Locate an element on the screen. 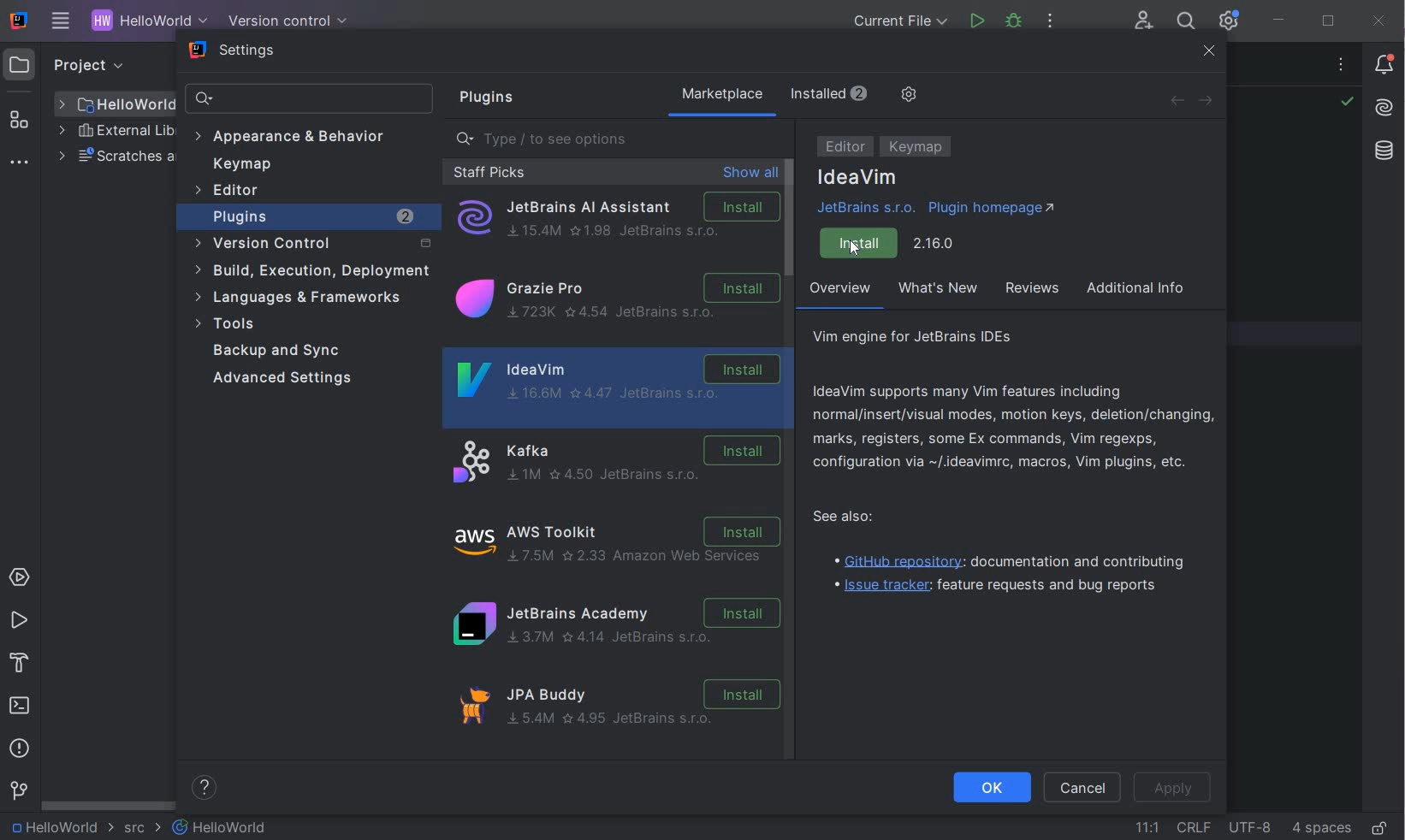 The height and width of the screenshot is (840, 1405). CLOSE is located at coordinates (1379, 21).